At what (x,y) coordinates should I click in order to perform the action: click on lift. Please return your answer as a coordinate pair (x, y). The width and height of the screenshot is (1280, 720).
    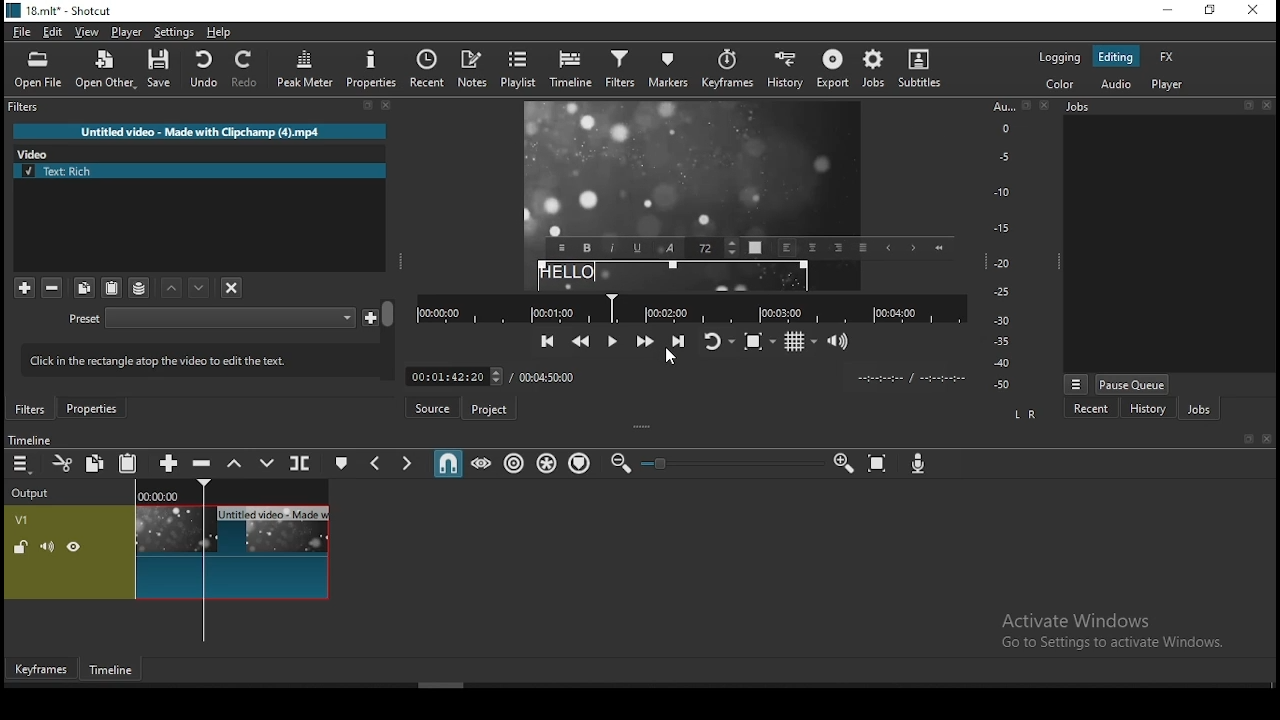
    Looking at the image, I should click on (235, 462).